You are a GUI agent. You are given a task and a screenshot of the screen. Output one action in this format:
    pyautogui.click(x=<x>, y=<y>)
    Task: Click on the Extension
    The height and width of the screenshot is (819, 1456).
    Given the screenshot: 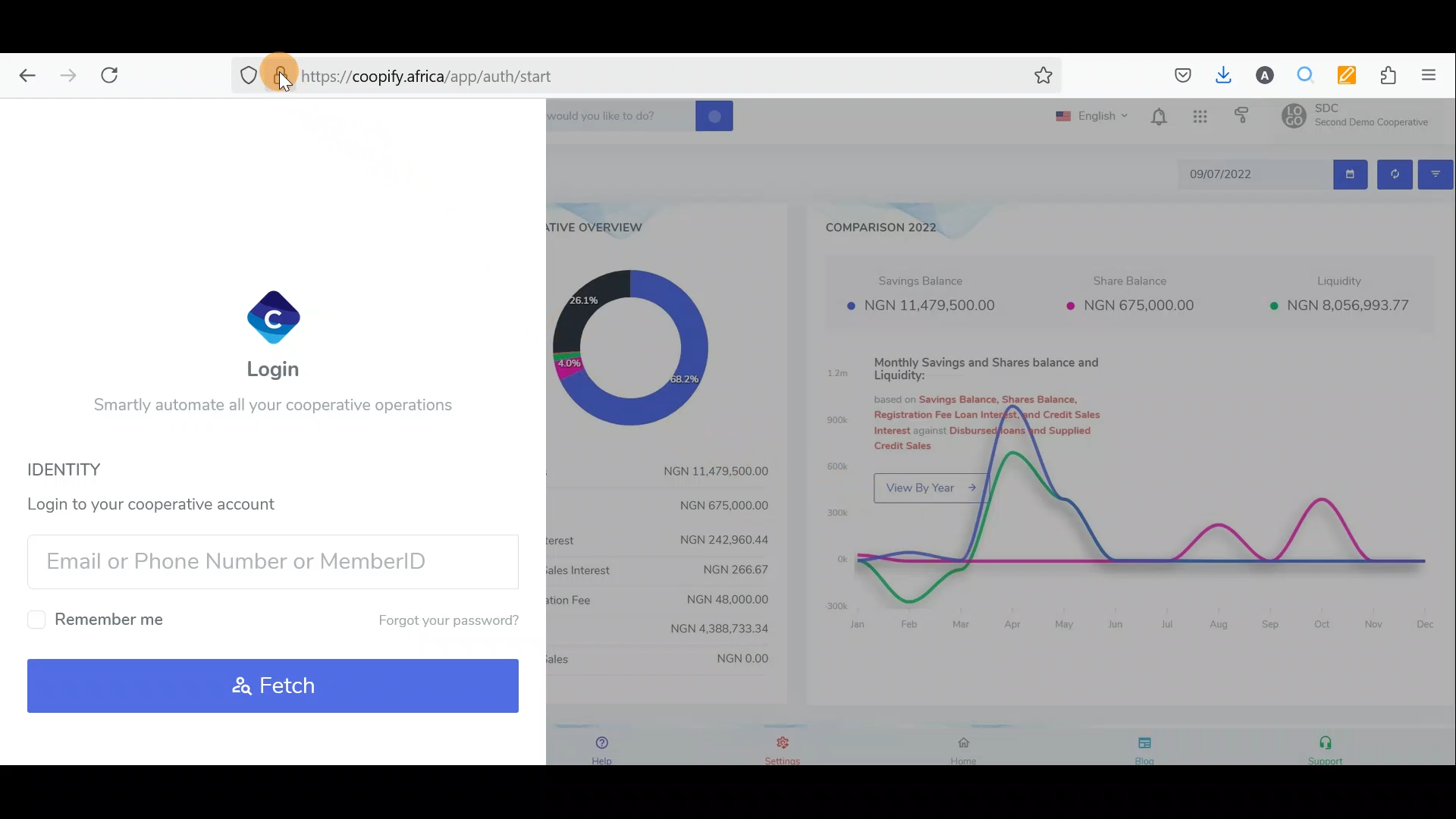 What is the action you would take?
    pyautogui.click(x=1382, y=76)
    